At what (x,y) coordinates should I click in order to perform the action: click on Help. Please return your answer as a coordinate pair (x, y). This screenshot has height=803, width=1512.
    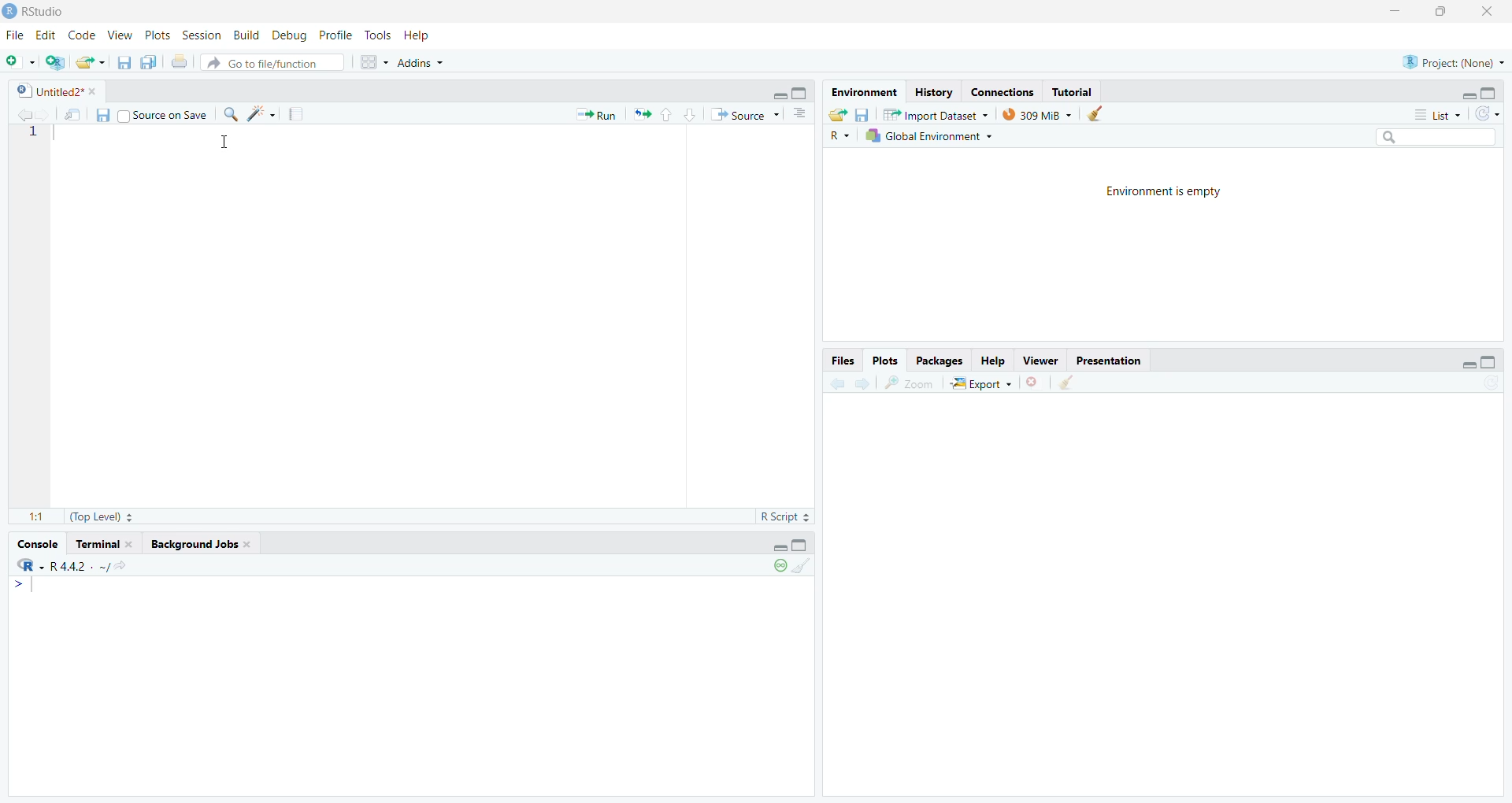
    Looking at the image, I should click on (424, 37).